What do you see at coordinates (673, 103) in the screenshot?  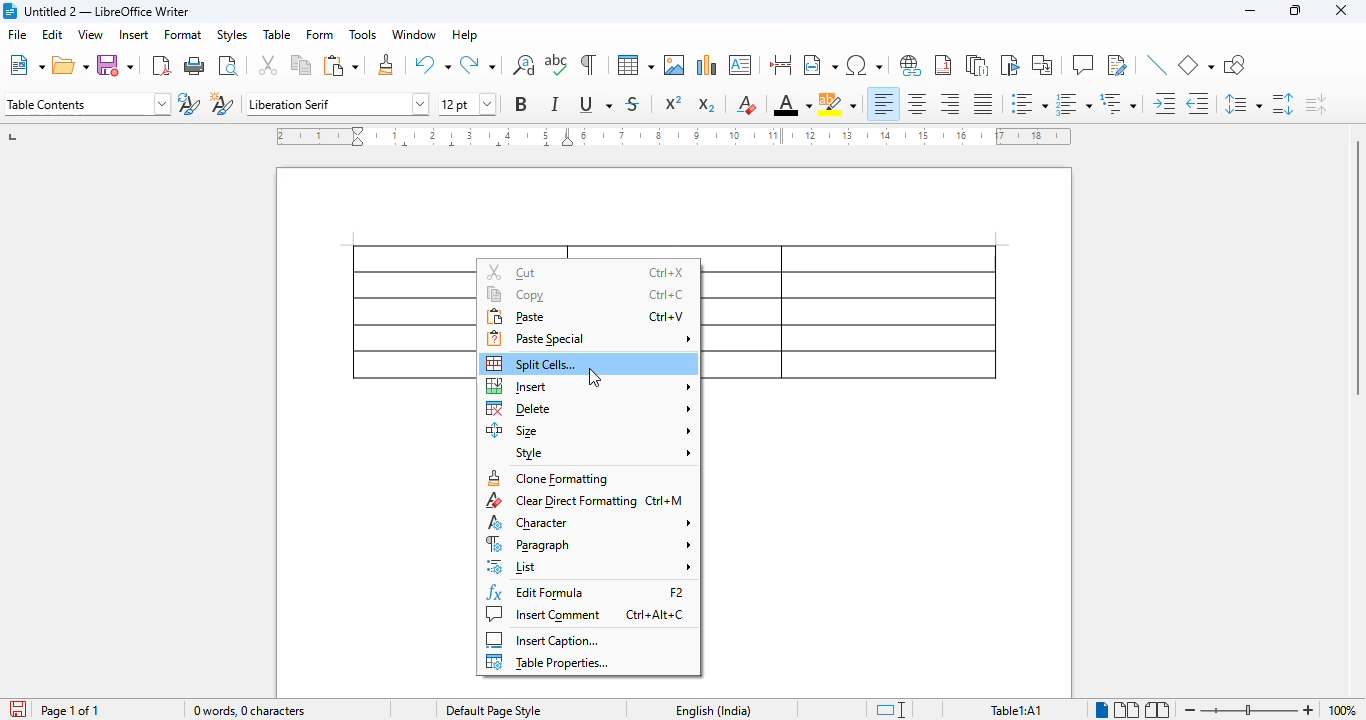 I see `superscript` at bounding box center [673, 103].